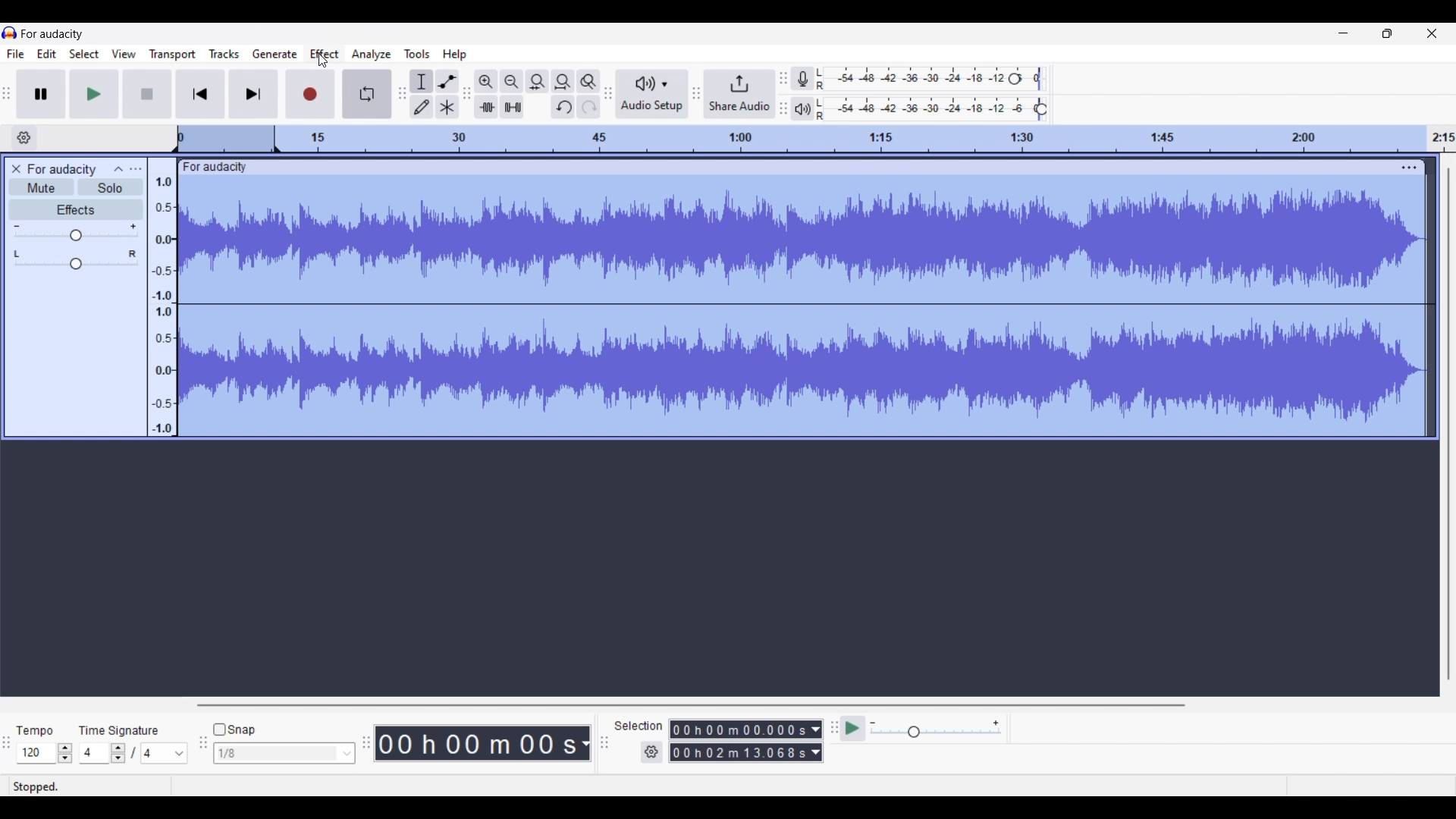 This screenshot has width=1456, height=819. I want to click on Draw tool, so click(422, 107).